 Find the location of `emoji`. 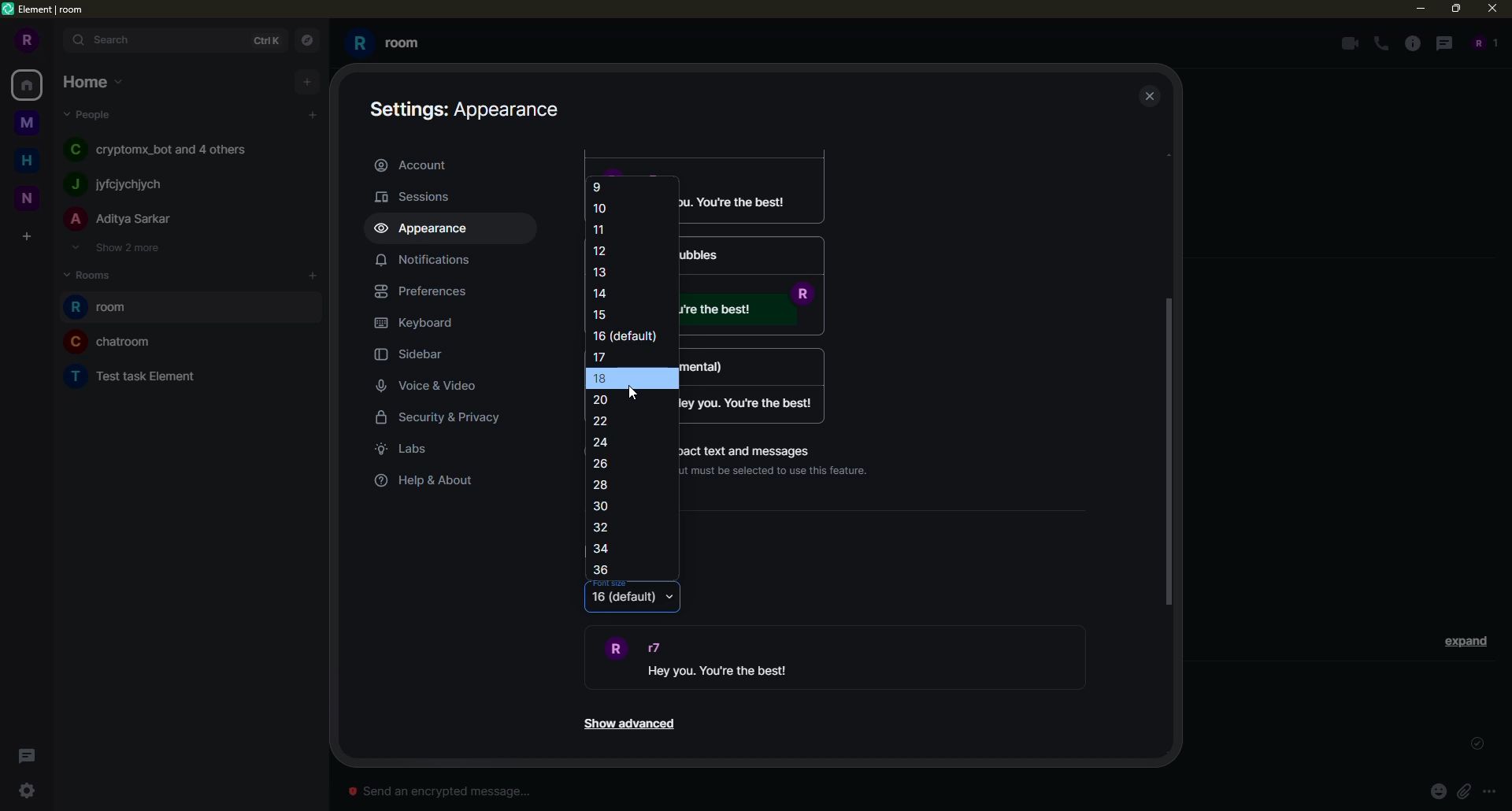

emoji is located at coordinates (1438, 791).